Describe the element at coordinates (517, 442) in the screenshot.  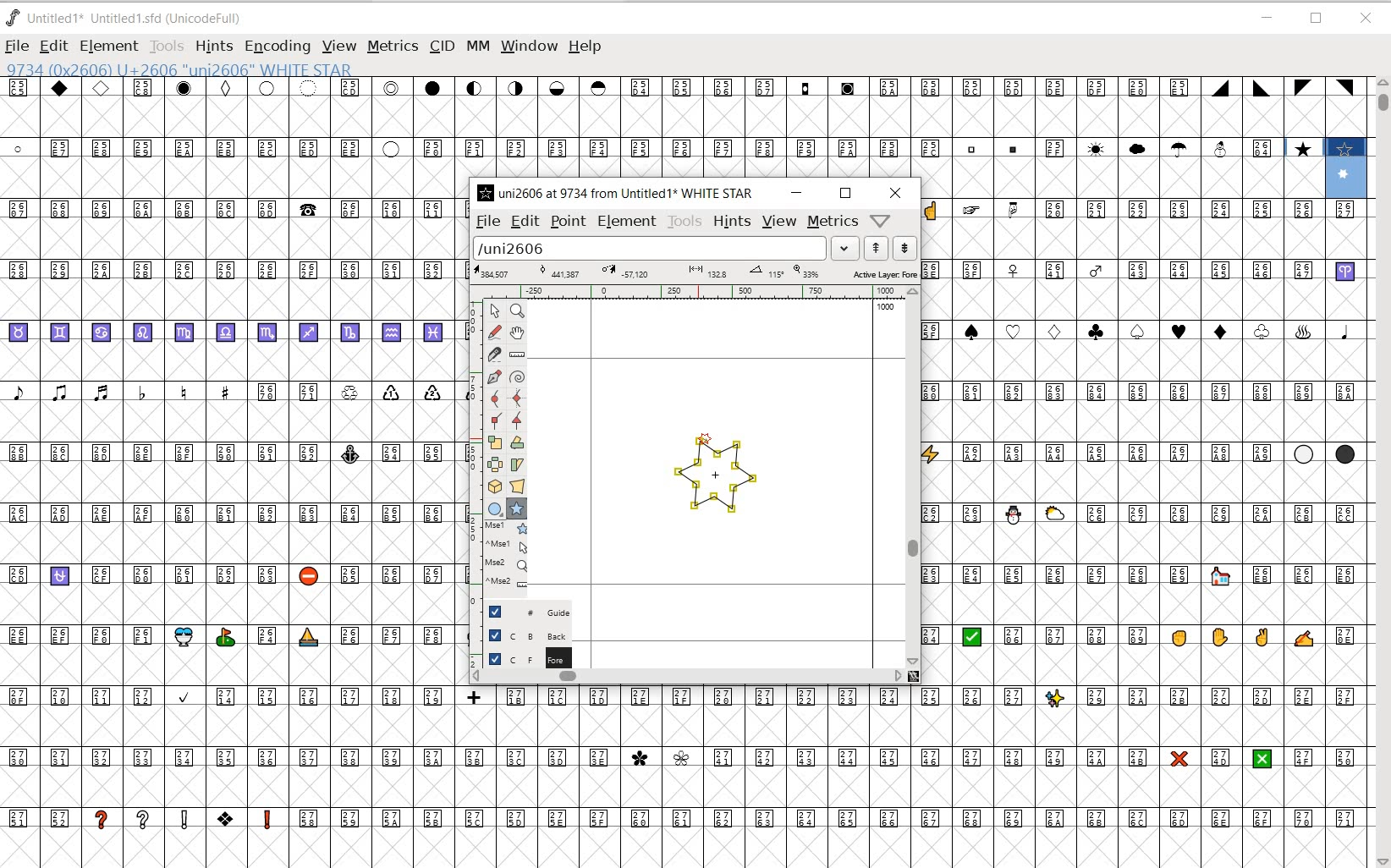
I see `ROTATE THE SELECTION` at that location.